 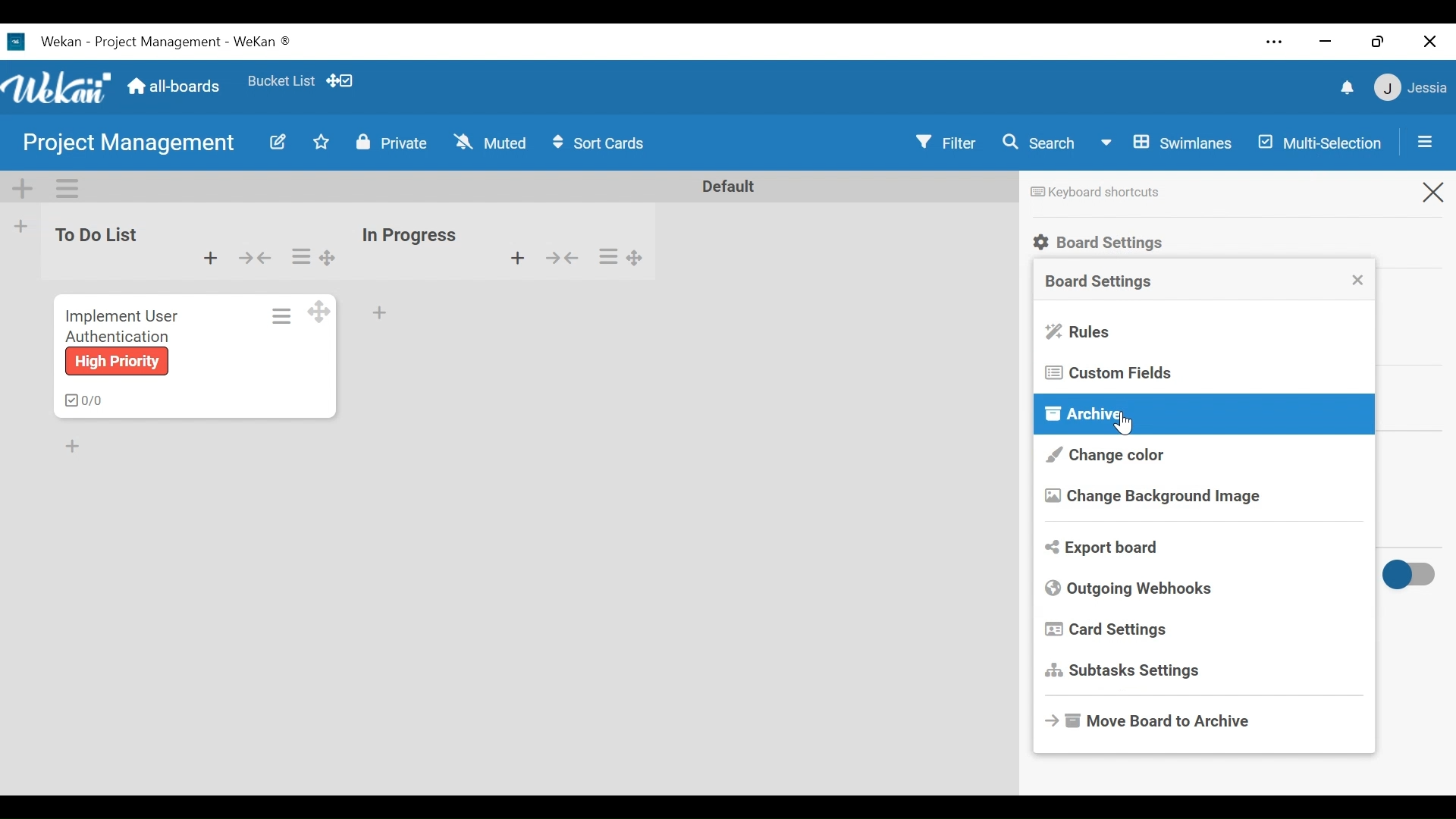 What do you see at coordinates (949, 142) in the screenshot?
I see `Filter` at bounding box center [949, 142].